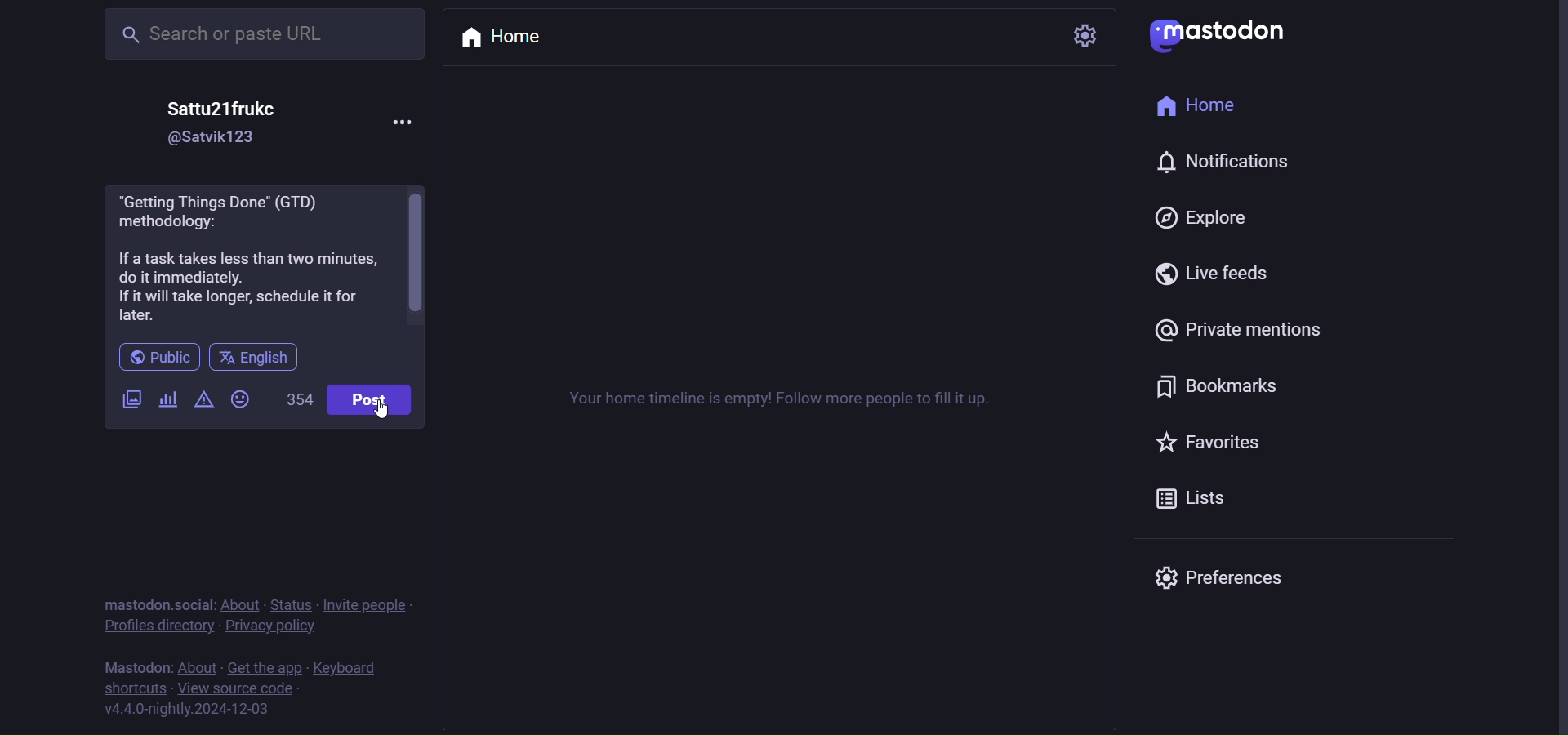 The image size is (1568, 735). What do you see at coordinates (198, 666) in the screenshot?
I see `about` at bounding box center [198, 666].